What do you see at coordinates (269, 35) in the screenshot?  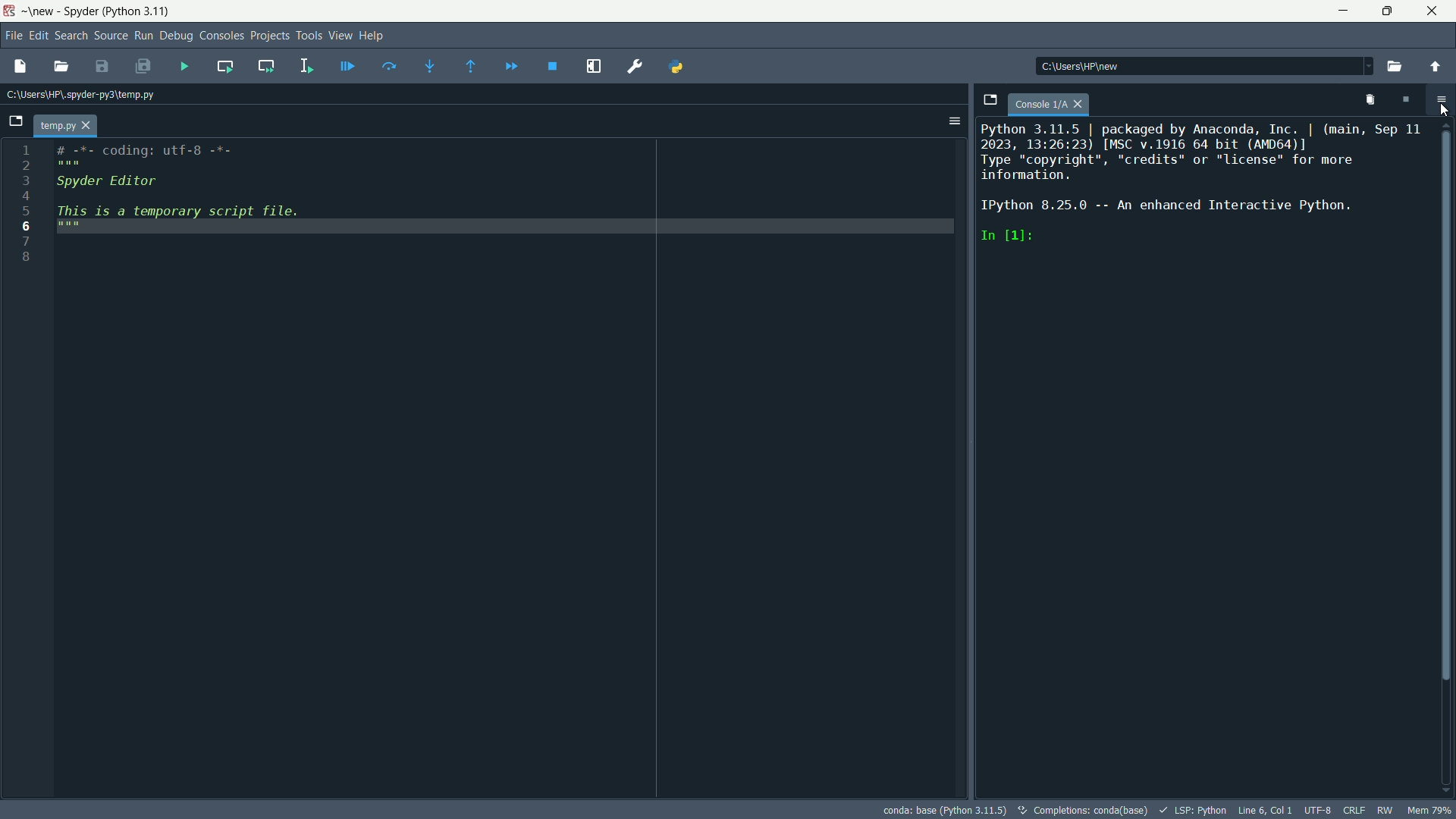 I see `projects menu` at bounding box center [269, 35].